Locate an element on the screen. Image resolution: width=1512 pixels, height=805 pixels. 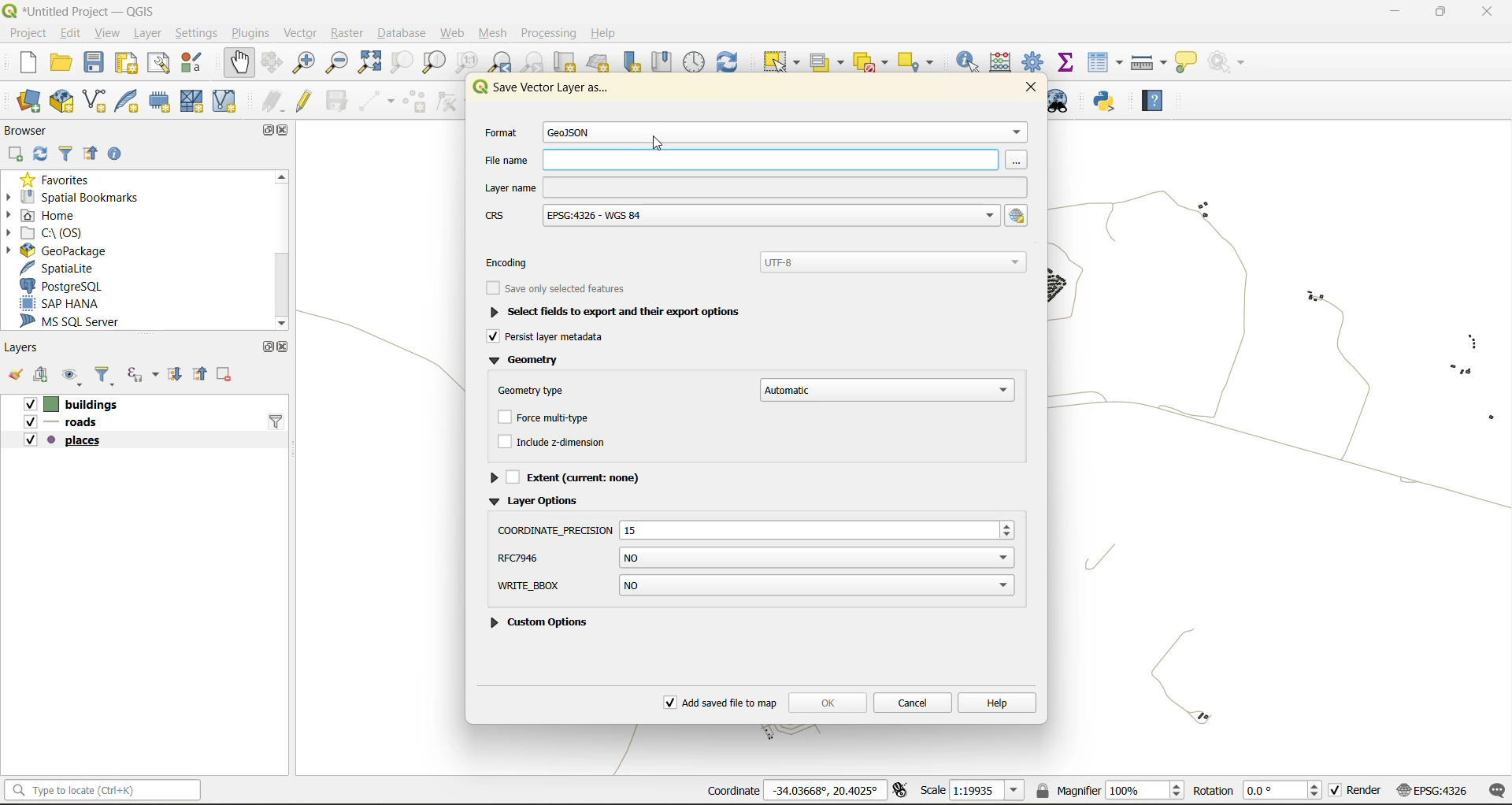
layer name is located at coordinates (751, 184).